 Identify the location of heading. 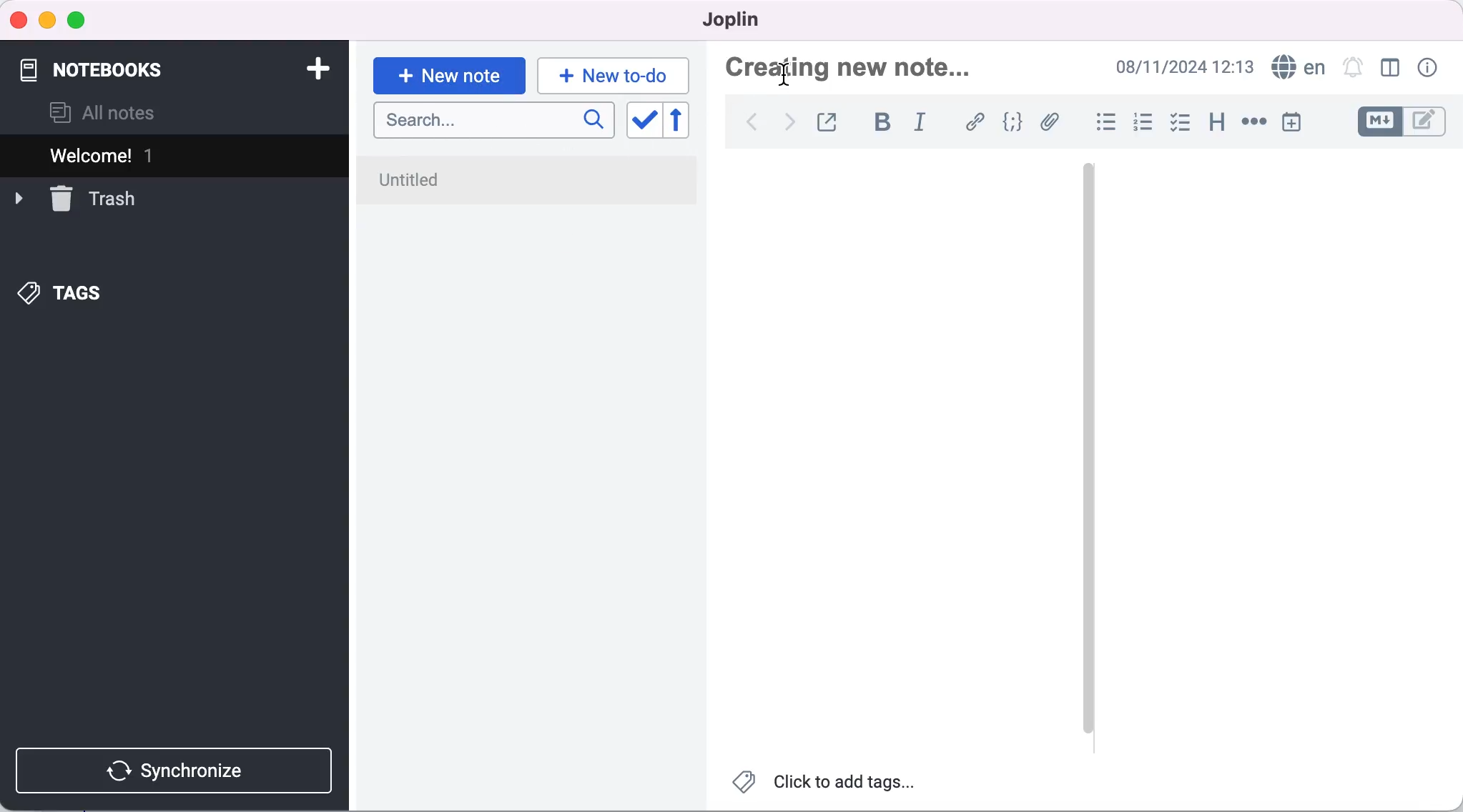
(1218, 123).